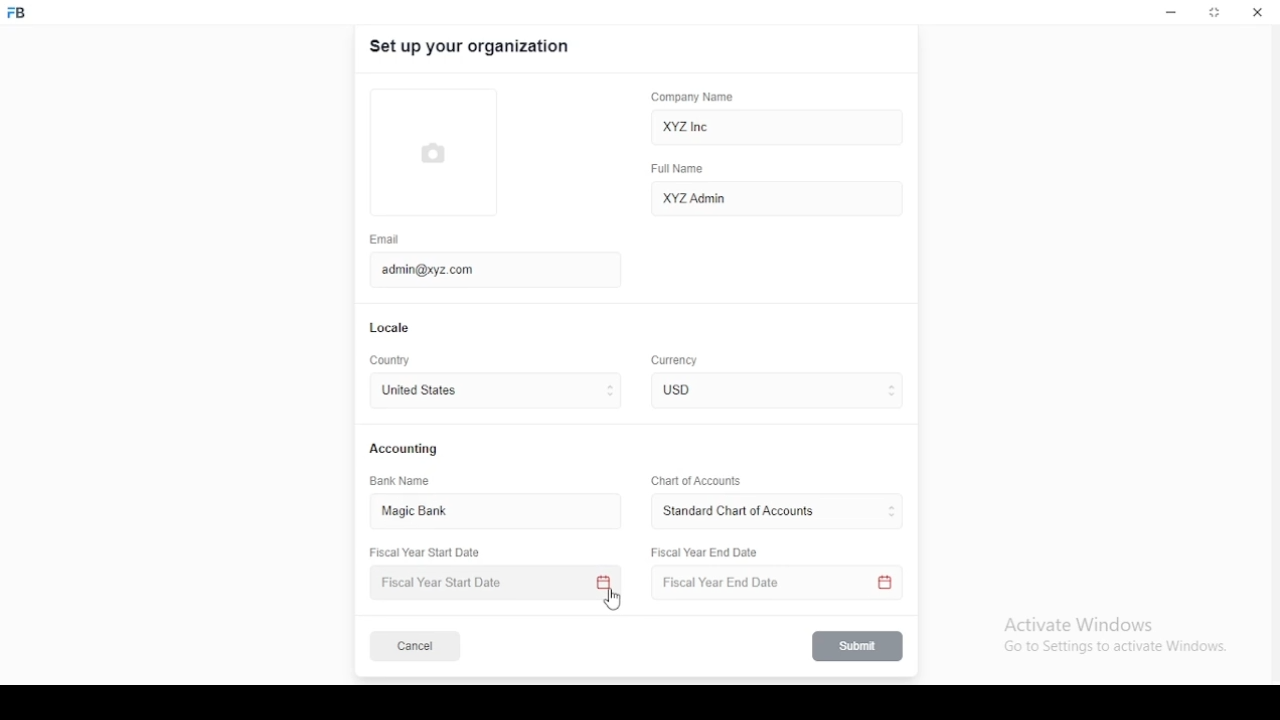 The image size is (1280, 720). Describe the element at coordinates (683, 169) in the screenshot. I see `full name` at that location.